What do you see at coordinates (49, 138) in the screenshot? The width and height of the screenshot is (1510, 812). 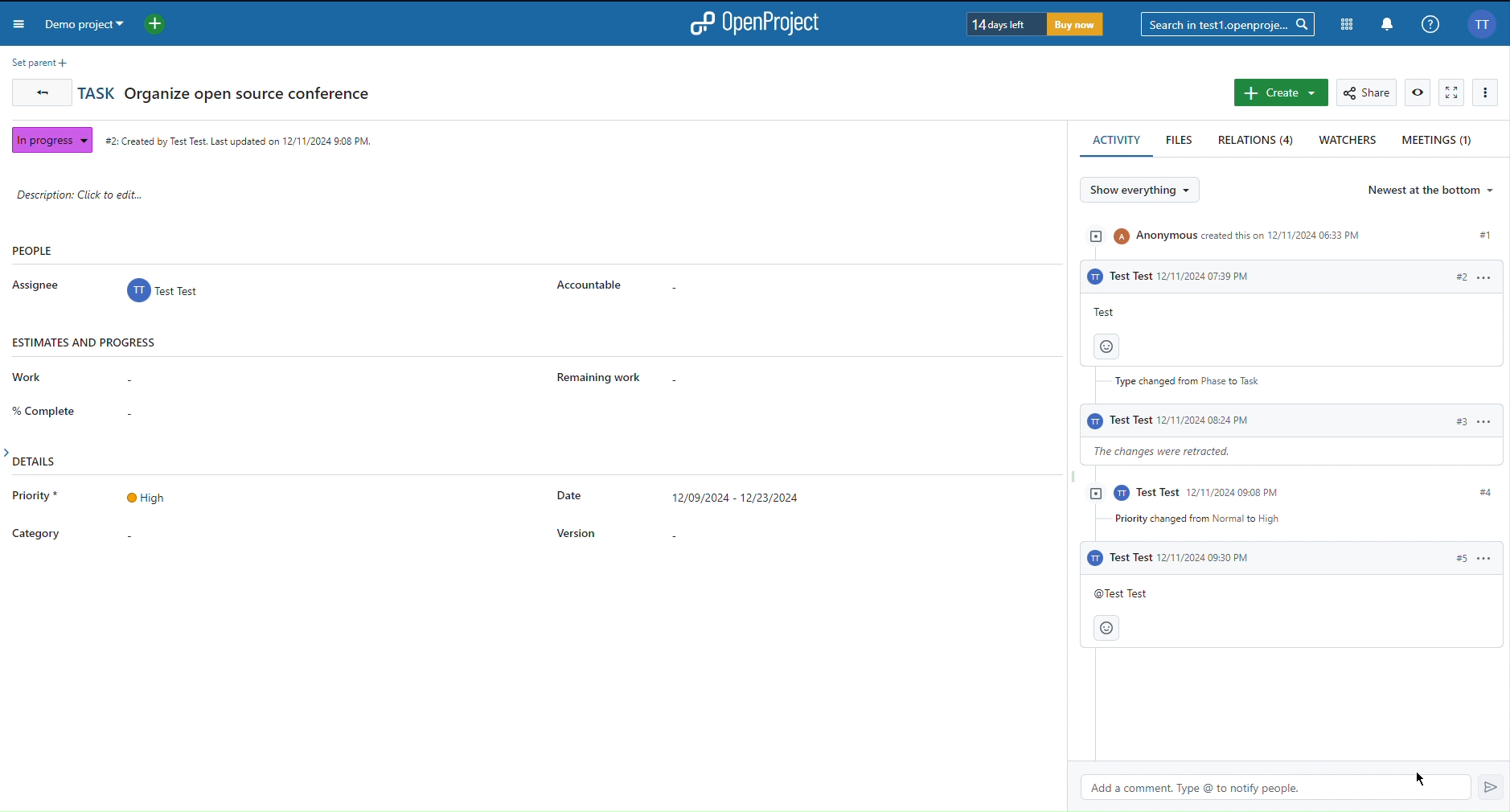 I see `In progress` at bounding box center [49, 138].